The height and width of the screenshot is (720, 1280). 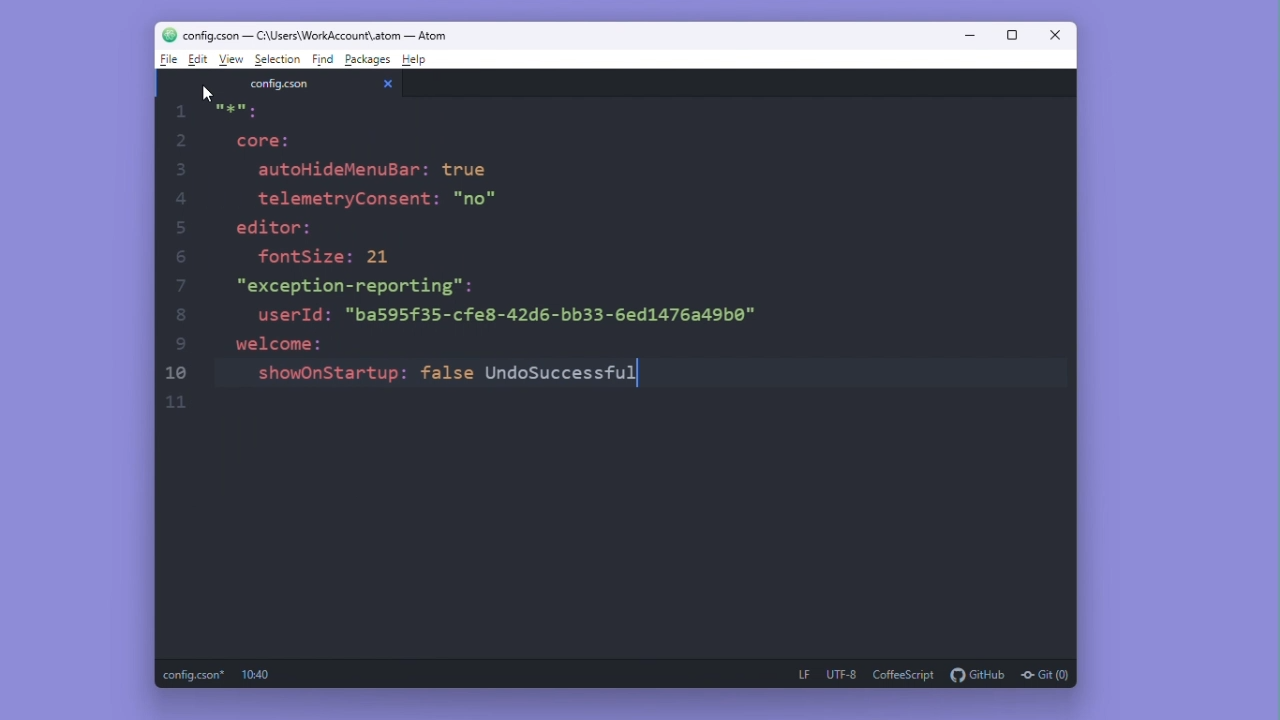 I want to click on logo, so click(x=165, y=34).